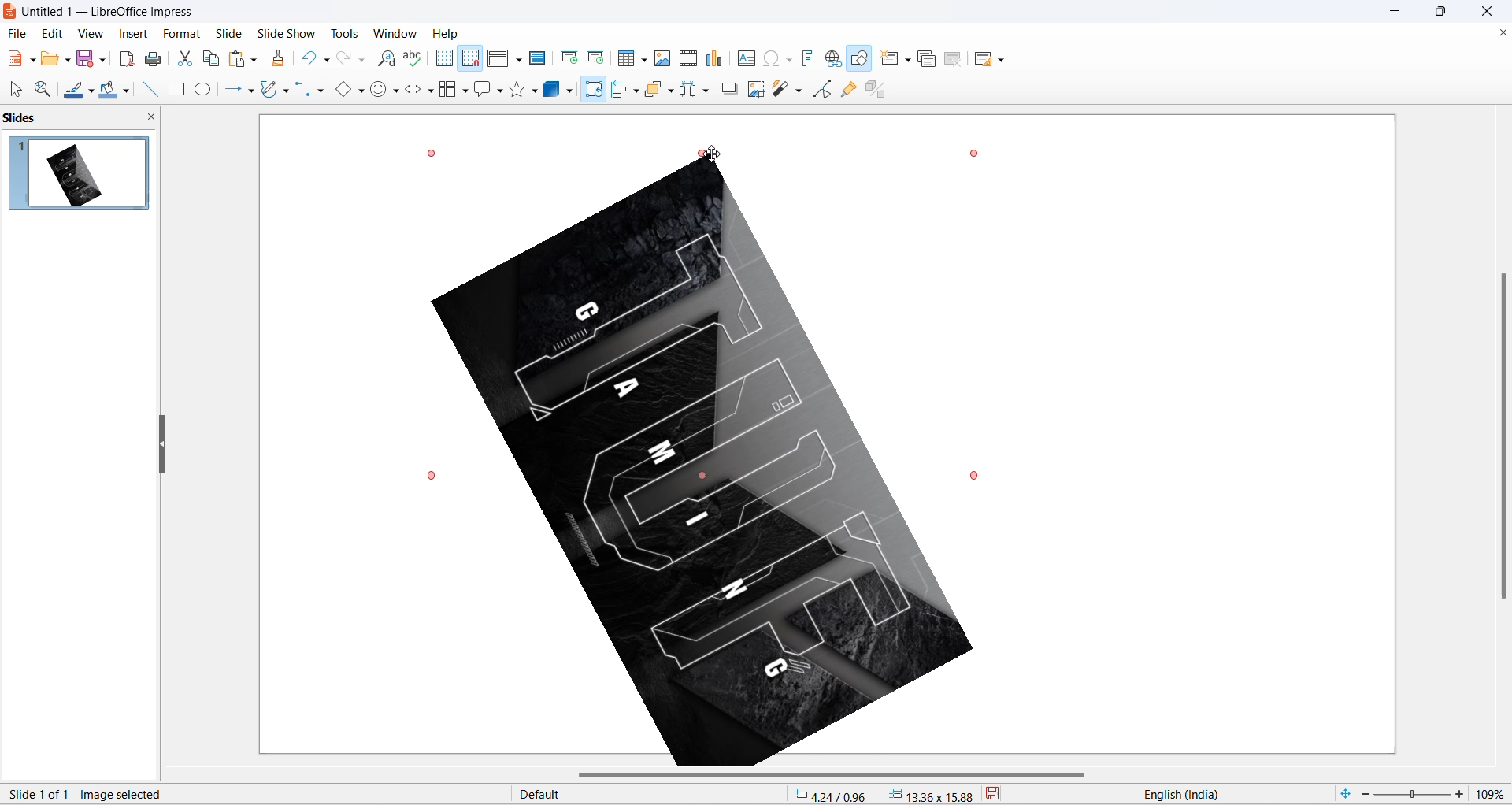 The height and width of the screenshot is (805, 1512). What do you see at coordinates (176, 91) in the screenshot?
I see `rectangle` at bounding box center [176, 91].